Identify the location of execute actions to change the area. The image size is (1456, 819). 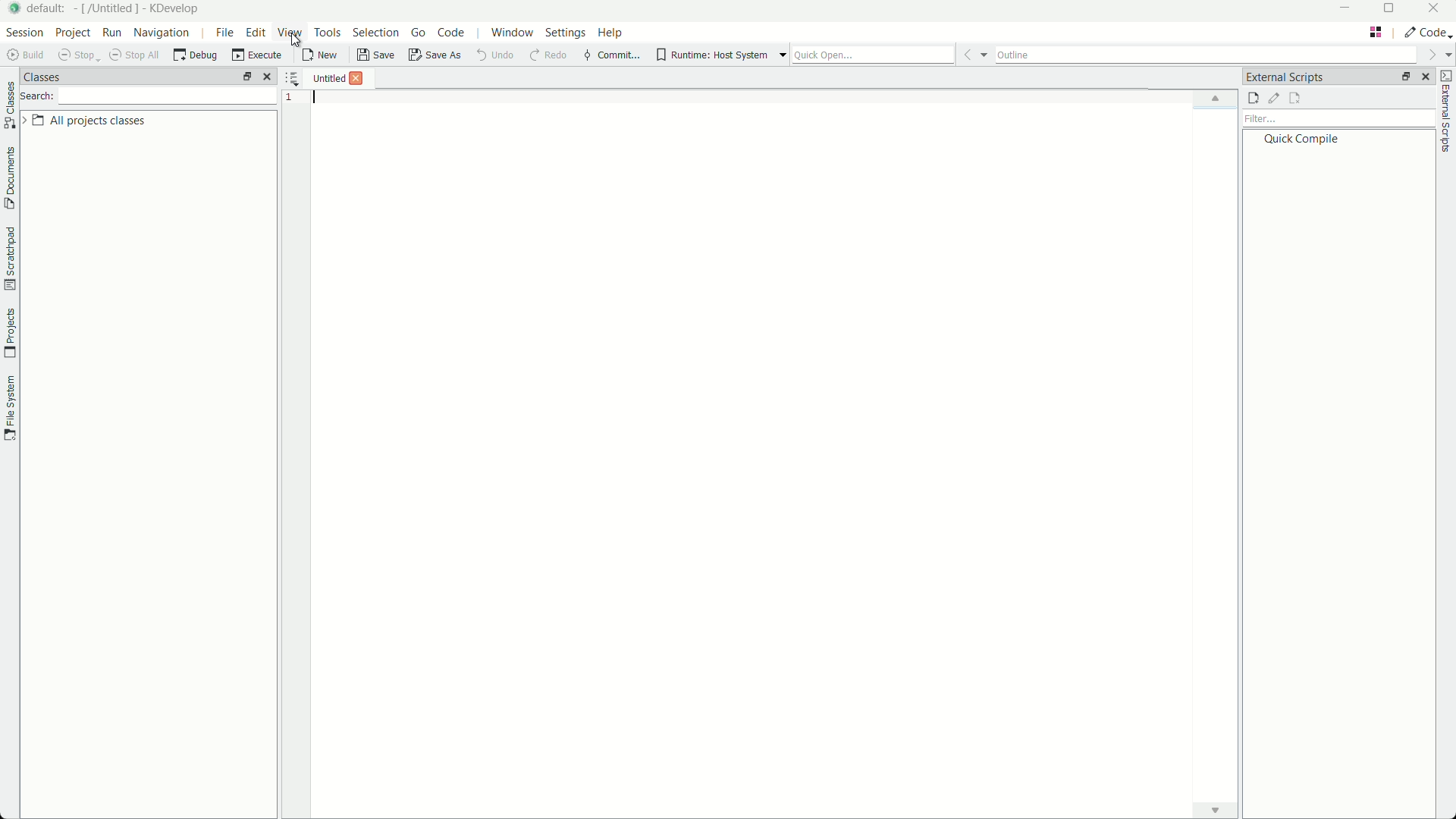
(1428, 35).